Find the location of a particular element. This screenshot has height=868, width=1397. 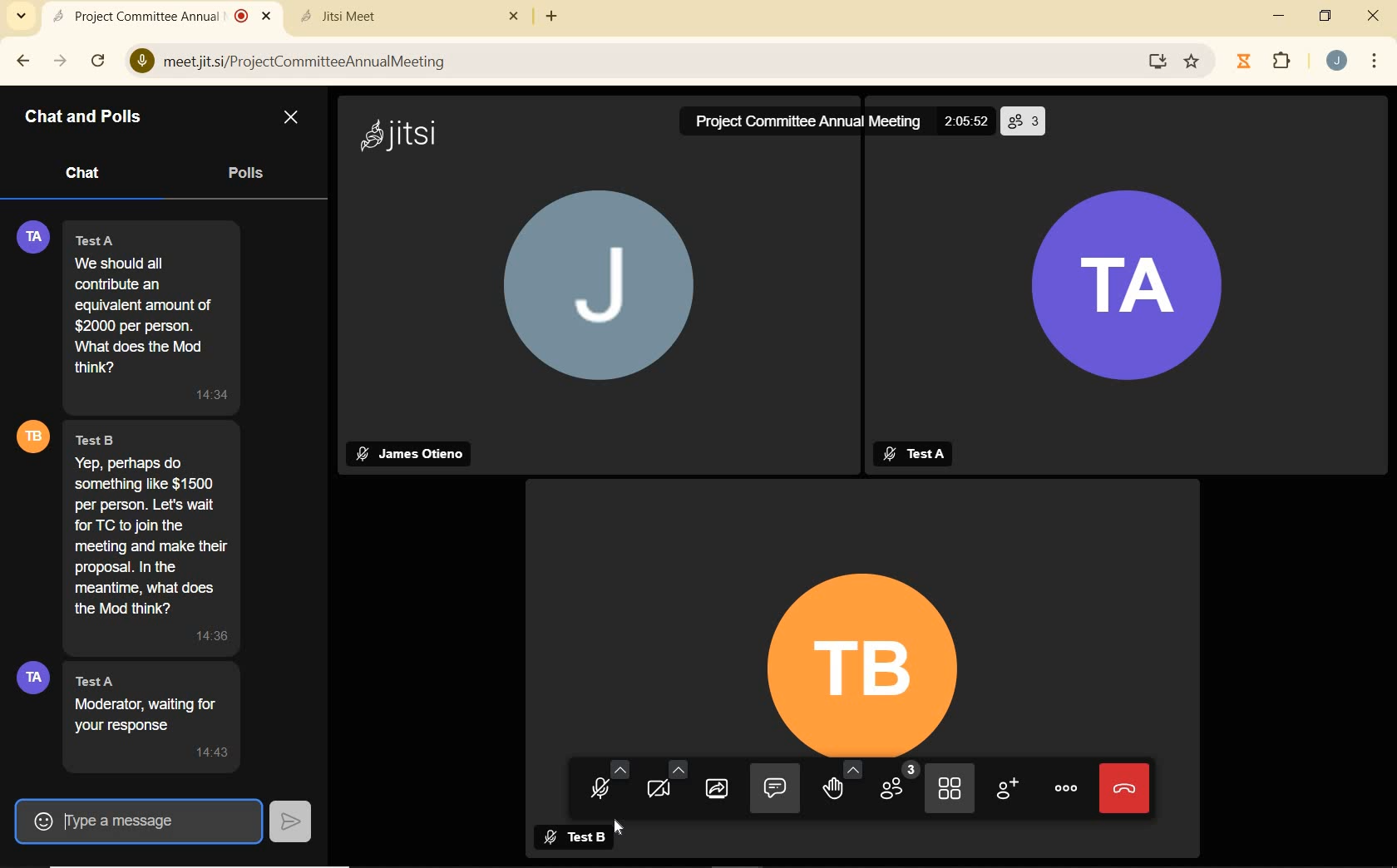

jitsi is located at coordinates (401, 134).